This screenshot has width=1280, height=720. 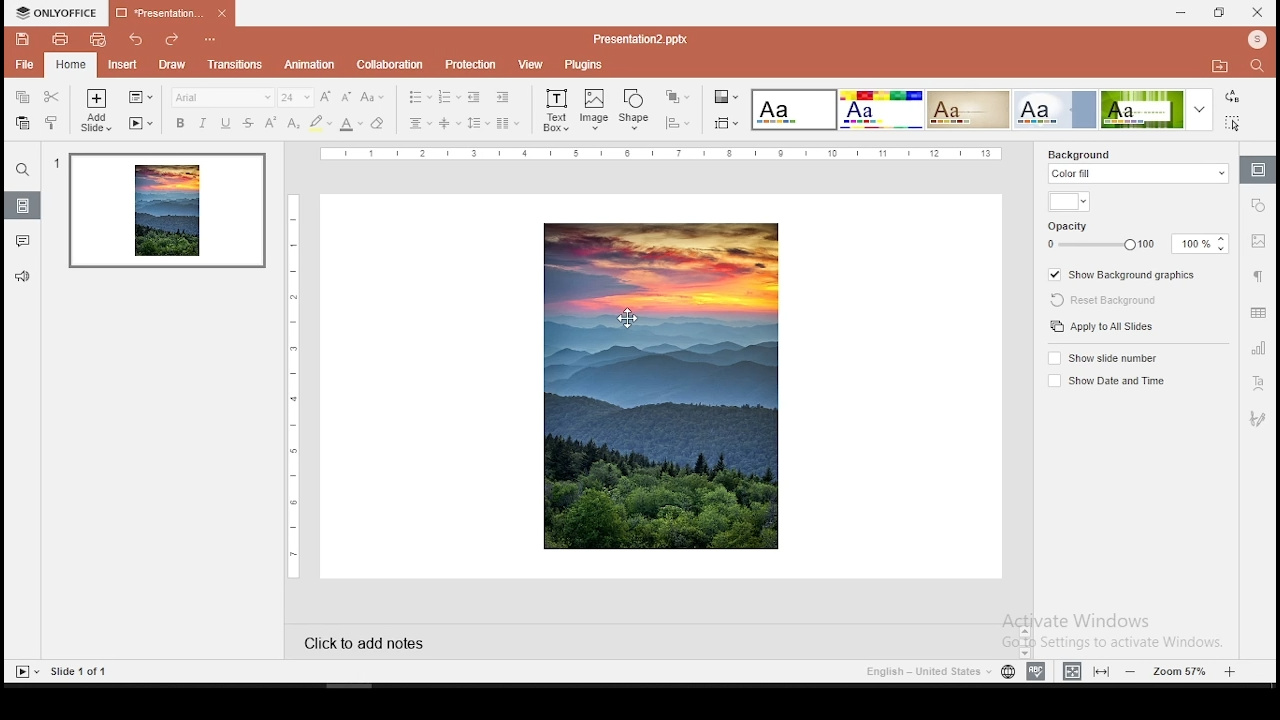 I want to click on show background graphics, so click(x=1124, y=275).